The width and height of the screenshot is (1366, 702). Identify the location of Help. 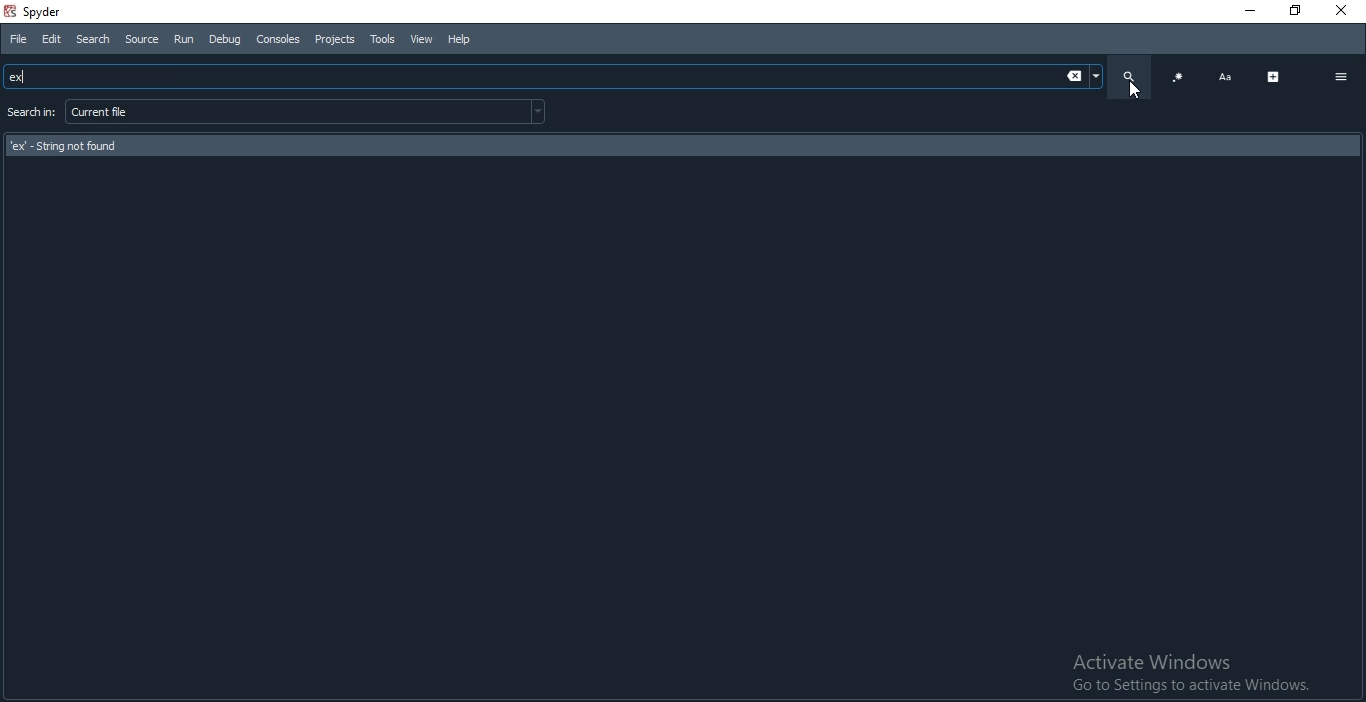
(466, 38).